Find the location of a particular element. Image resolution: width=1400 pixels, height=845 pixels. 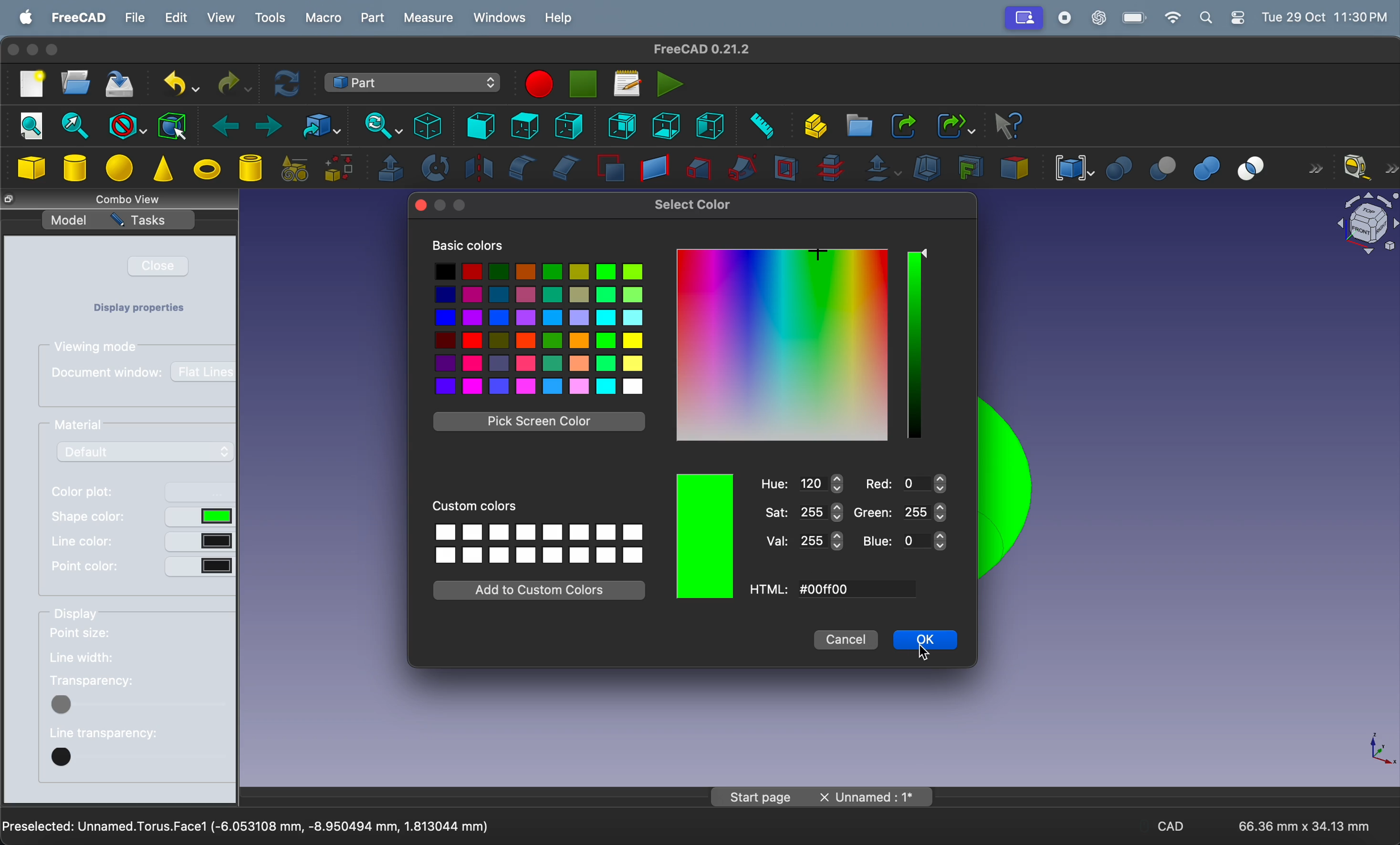

OK is located at coordinates (930, 641).